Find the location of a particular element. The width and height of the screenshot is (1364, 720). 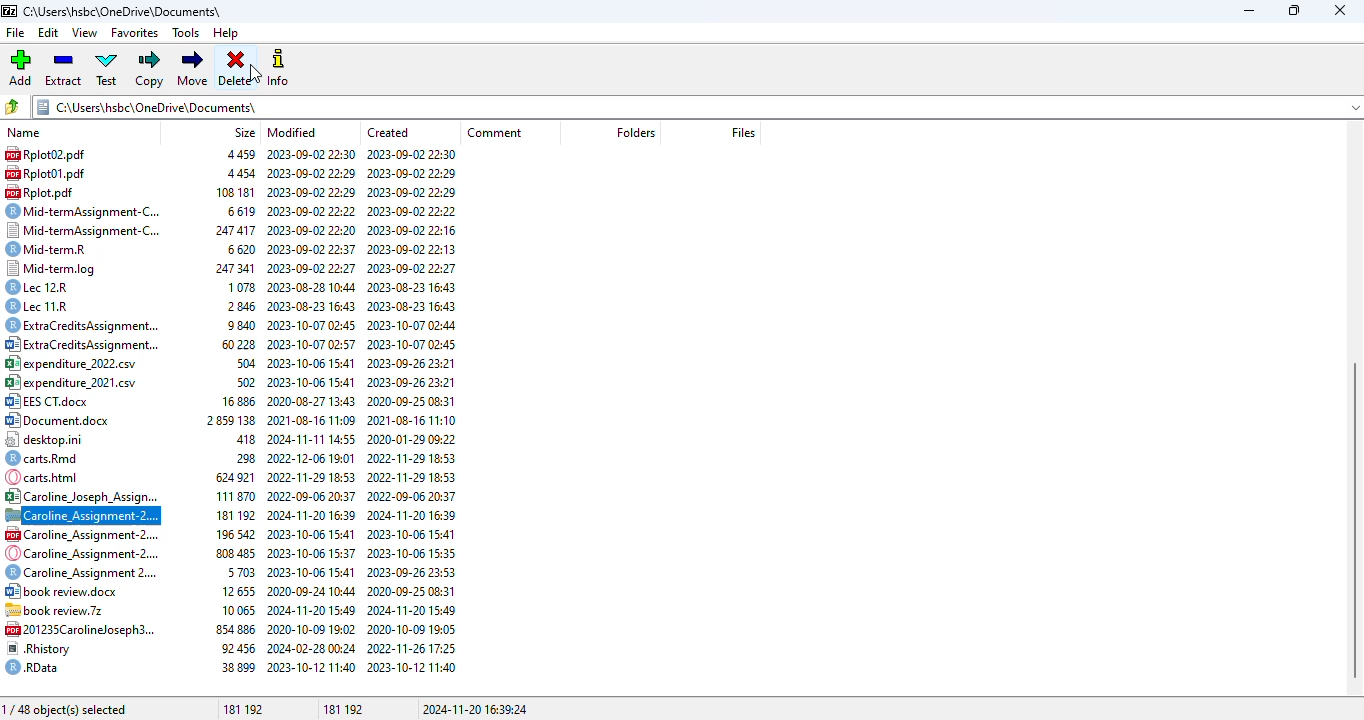

2859138 is located at coordinates (229, 422).